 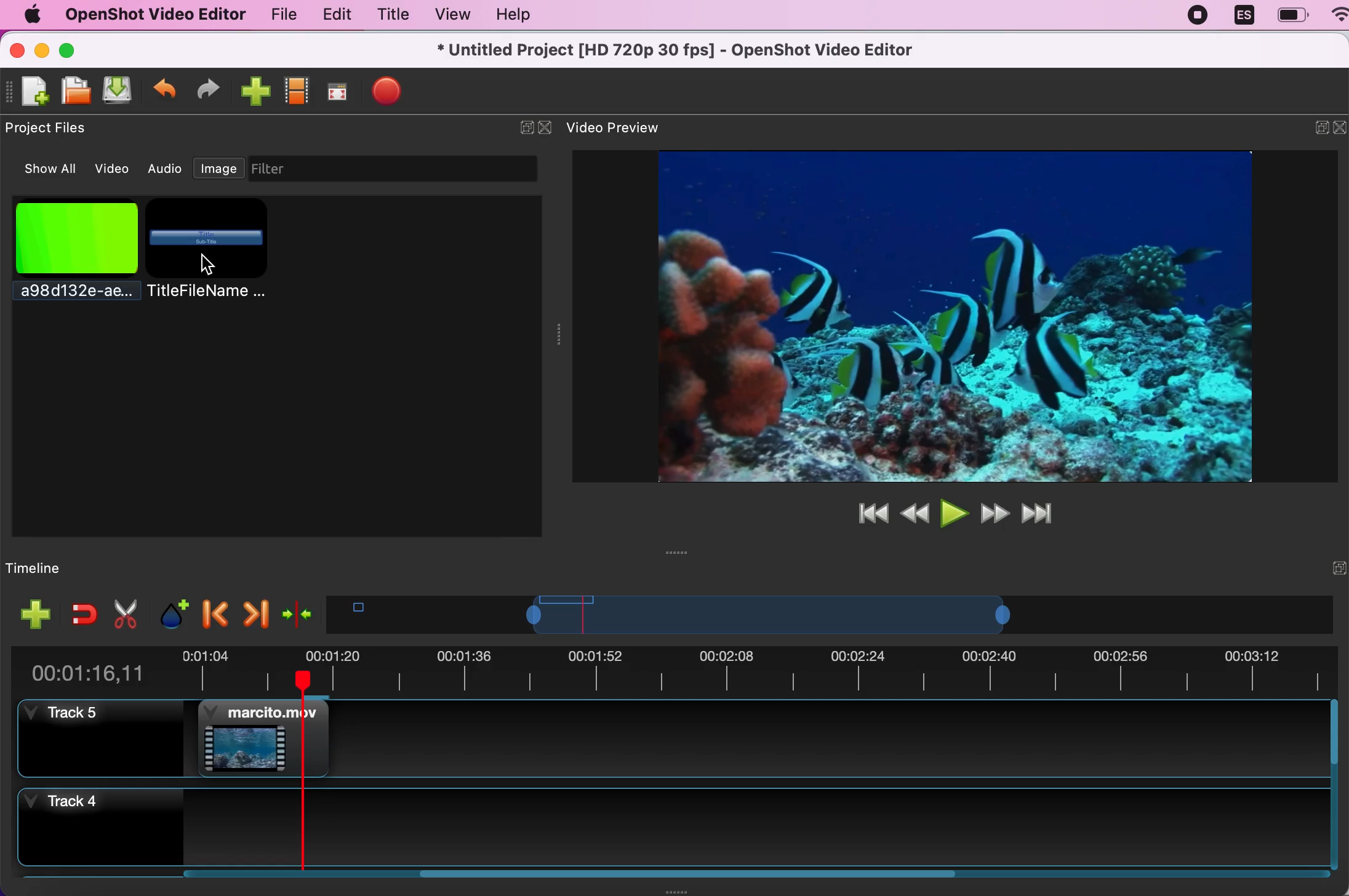 What do you see at coordinates (219, 171) in the screenshot?
I see `image` at bounding box center [219, 171].